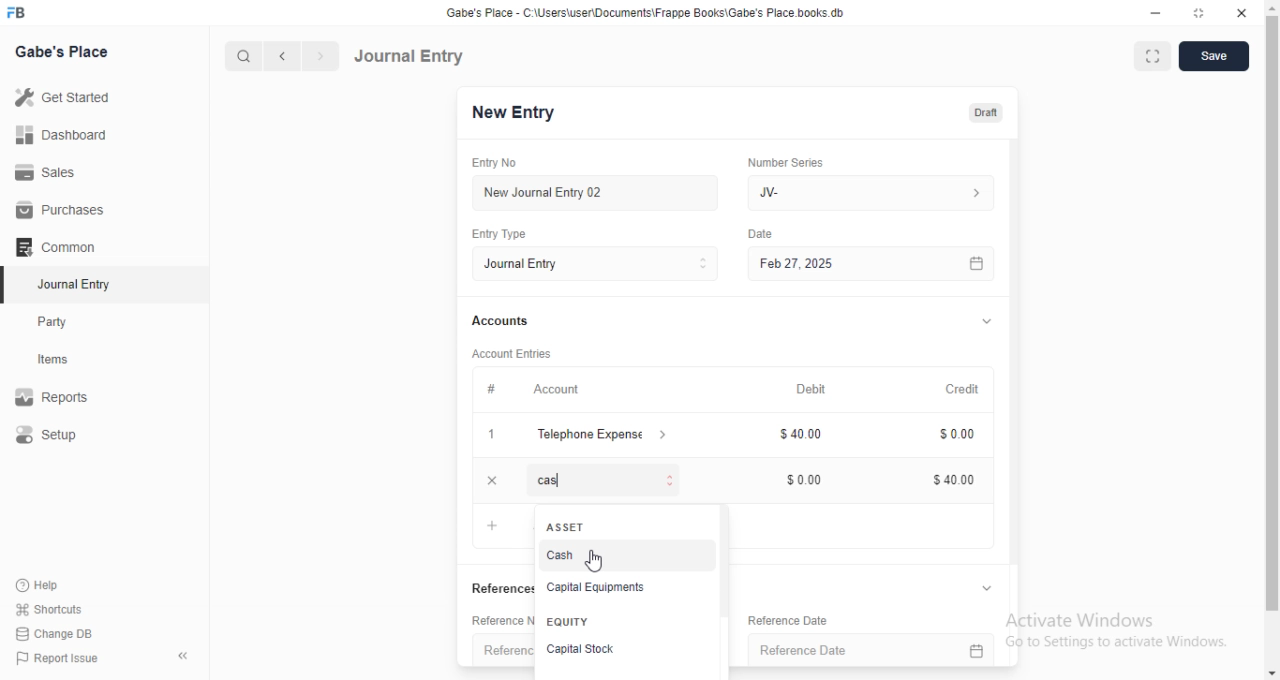 The width and height of the screenshot is (1280, 680). Describe the element at coordinates (571, 622) in the screenshot. I see `EQUITY` at that location.